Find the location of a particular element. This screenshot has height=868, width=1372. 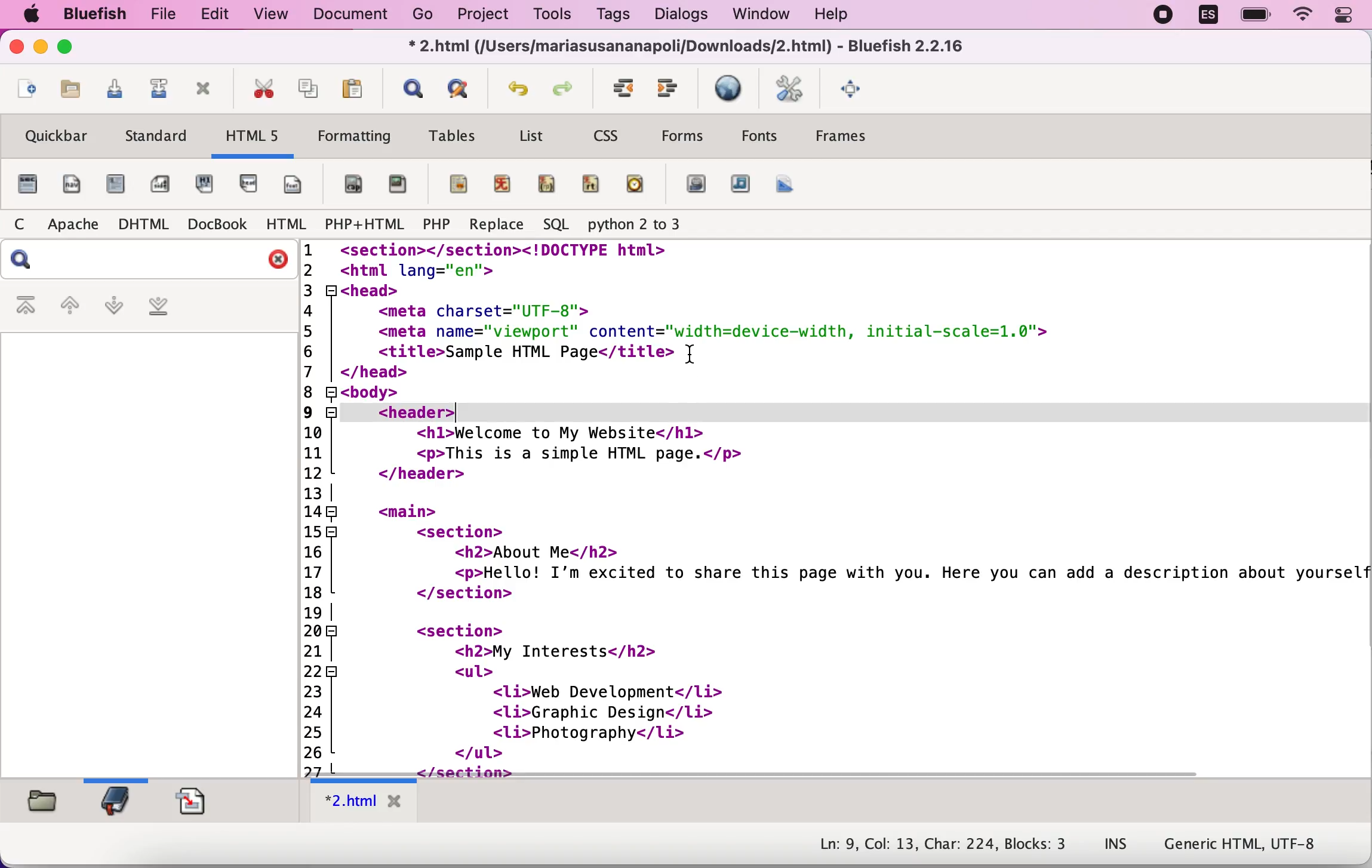

snippets is located at coordinates (195, 802).